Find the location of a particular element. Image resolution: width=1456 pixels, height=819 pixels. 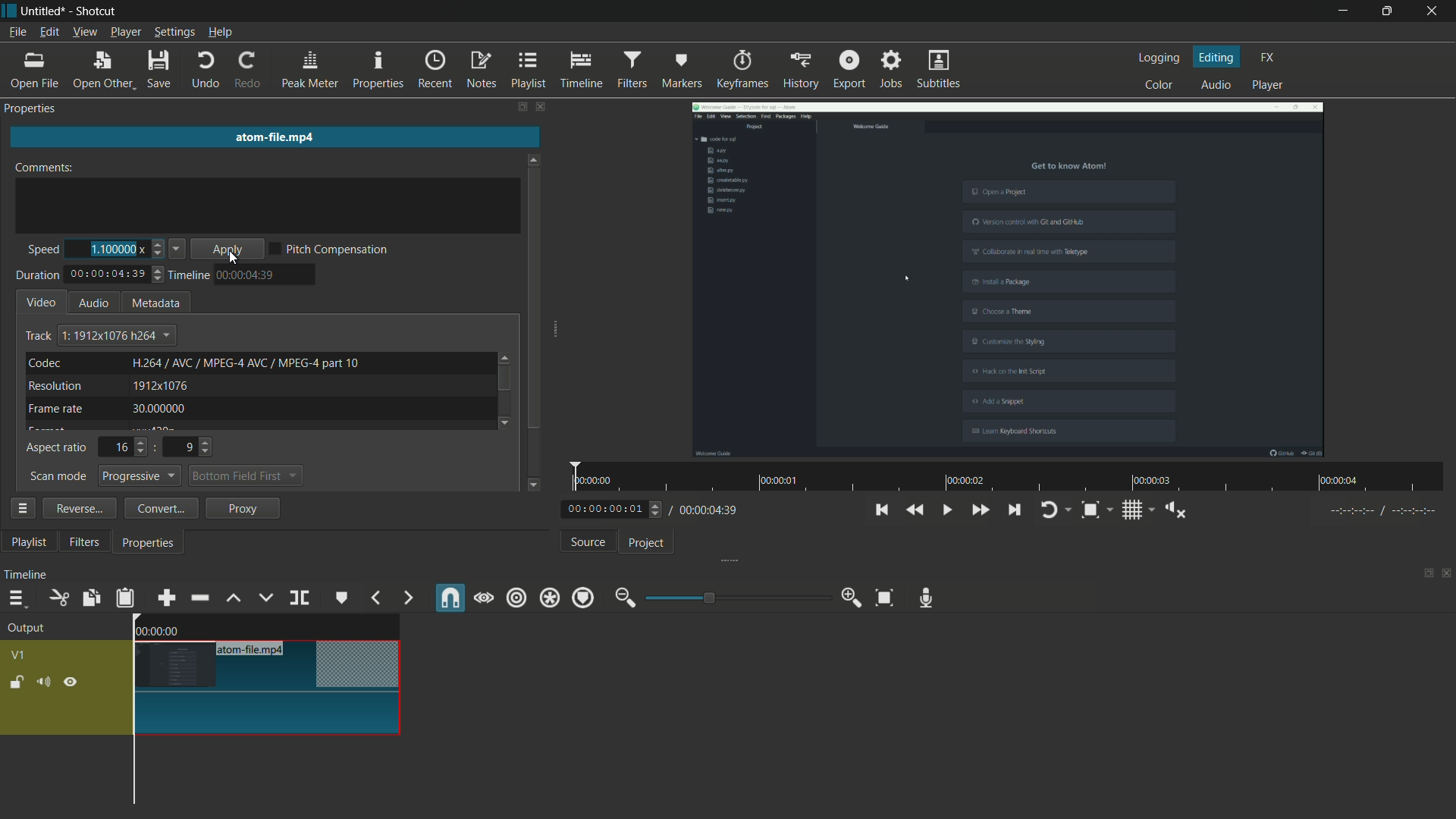

lift is located at coordinates (233, 598).